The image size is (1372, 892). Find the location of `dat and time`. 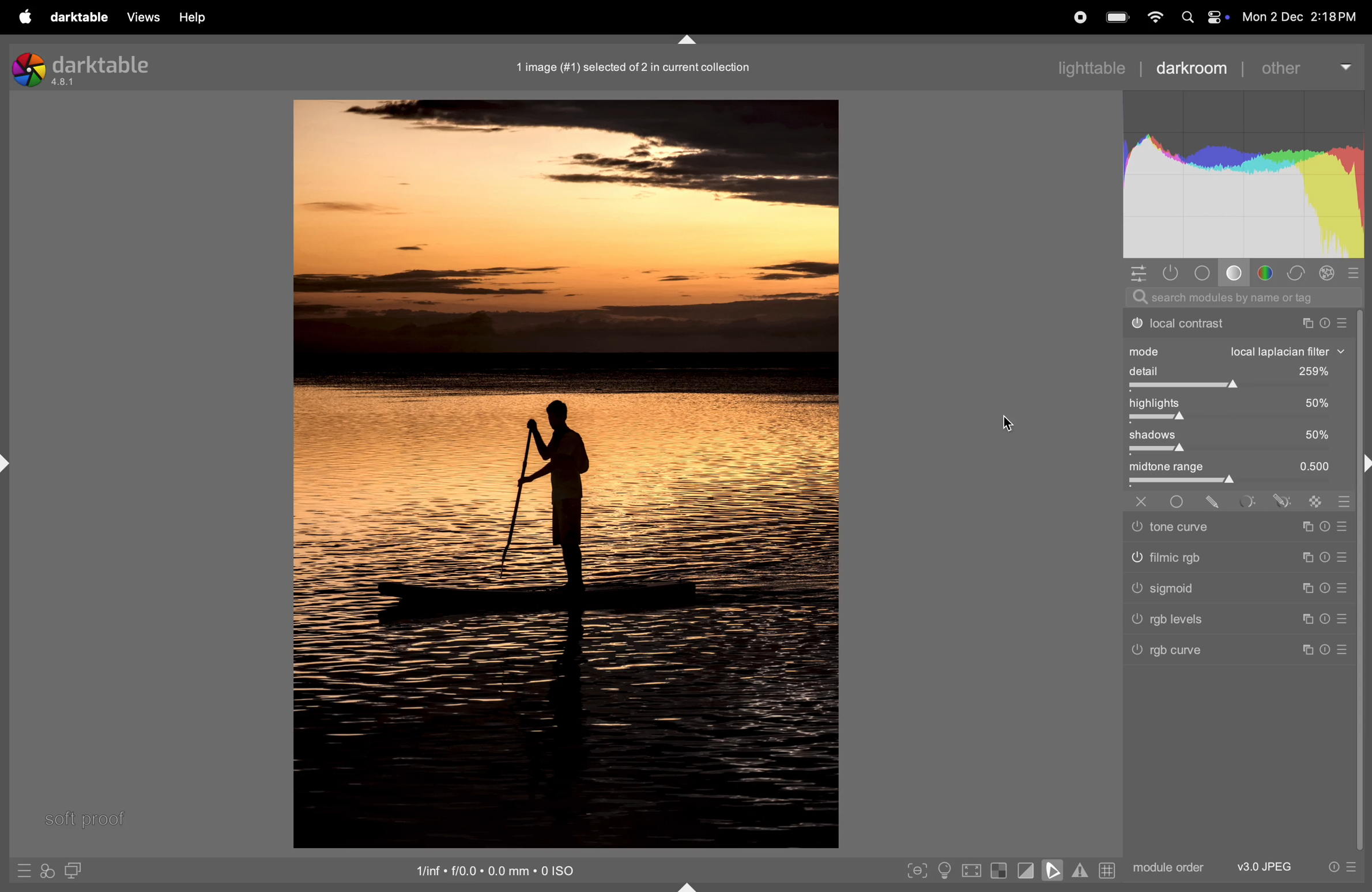

dat and time is located at coordinates (1301, 17).